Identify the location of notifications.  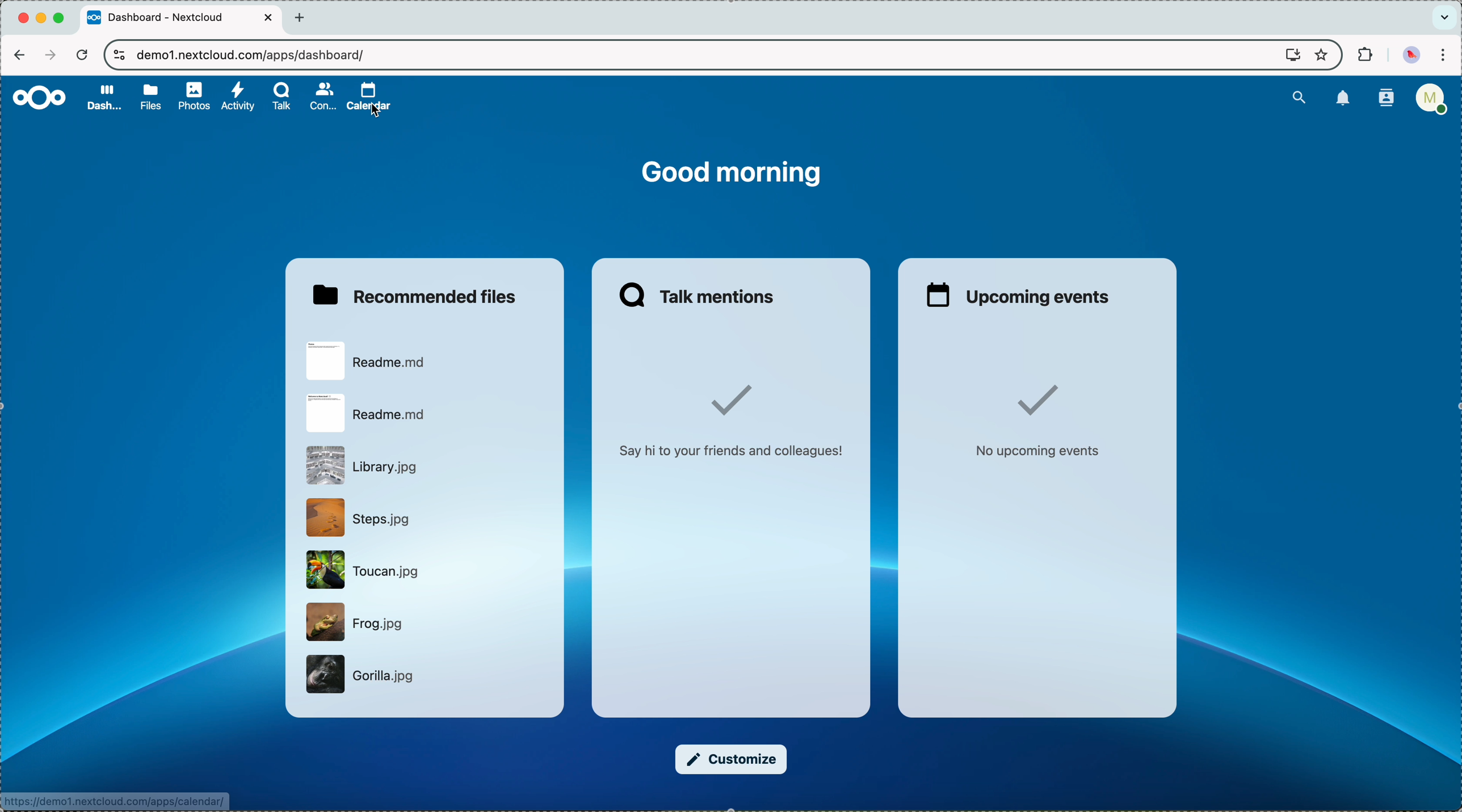
(1343, 99).